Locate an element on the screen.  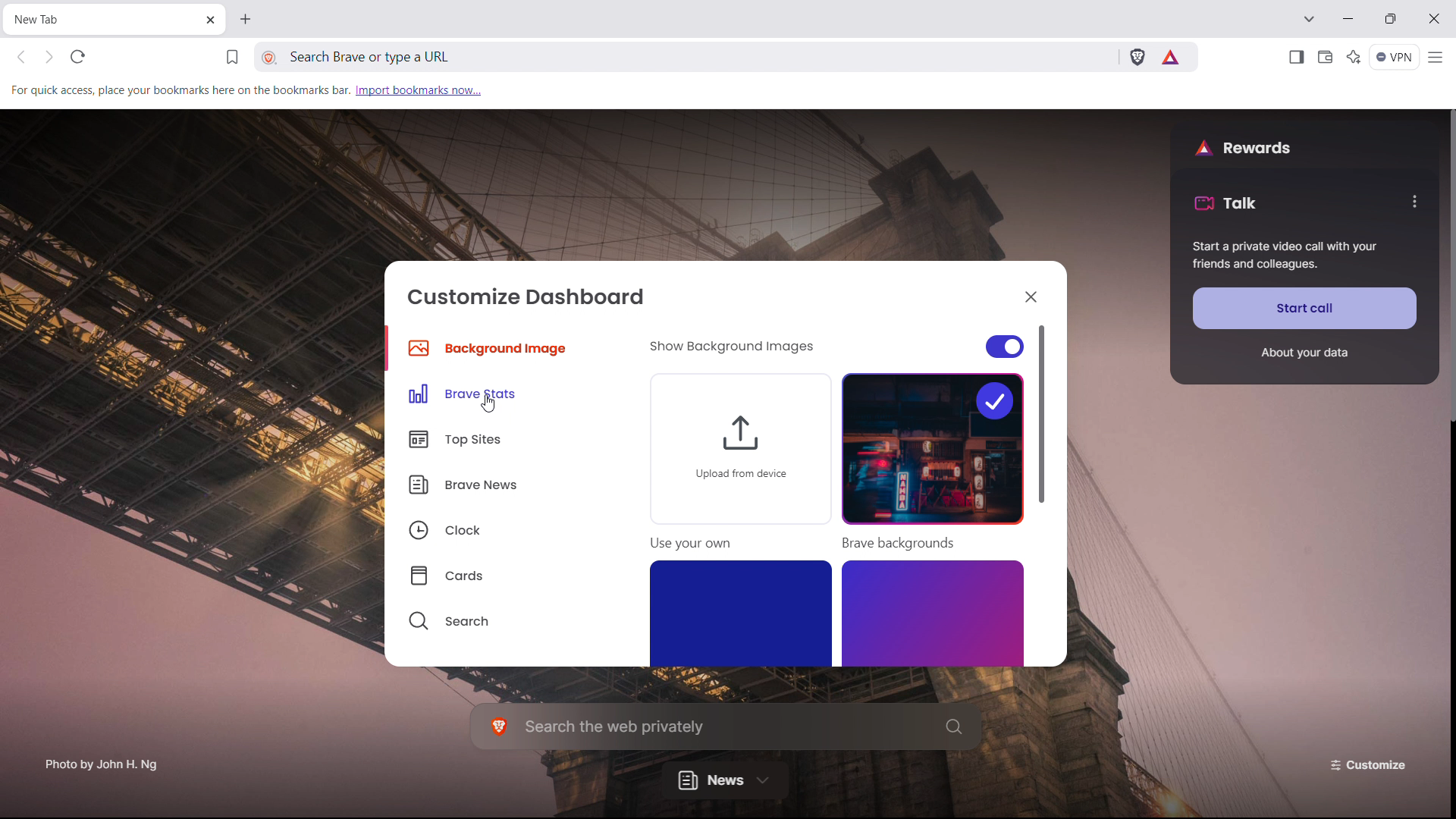
customize and control is located at coordinates (1437, 58).